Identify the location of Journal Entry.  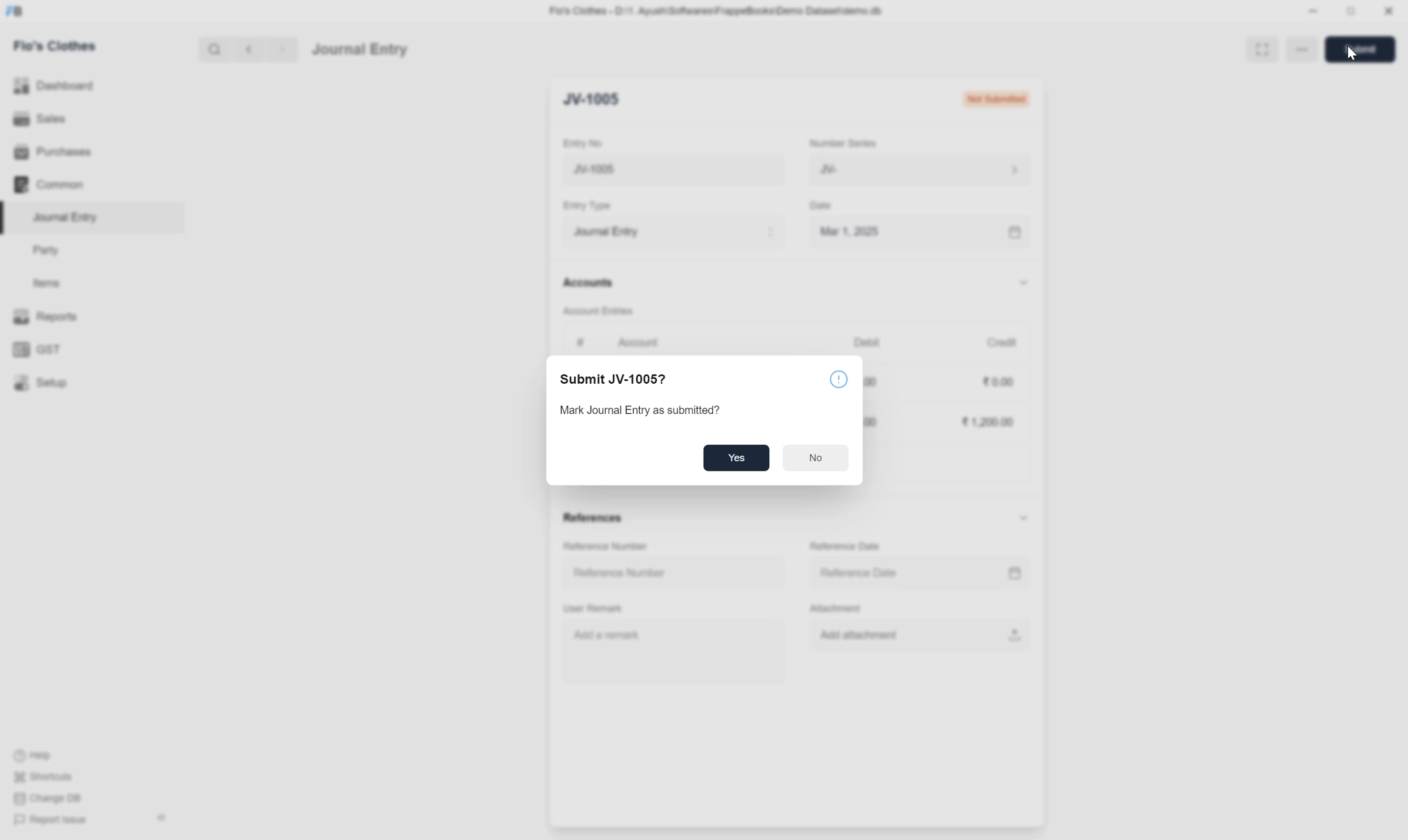
(70, 217).